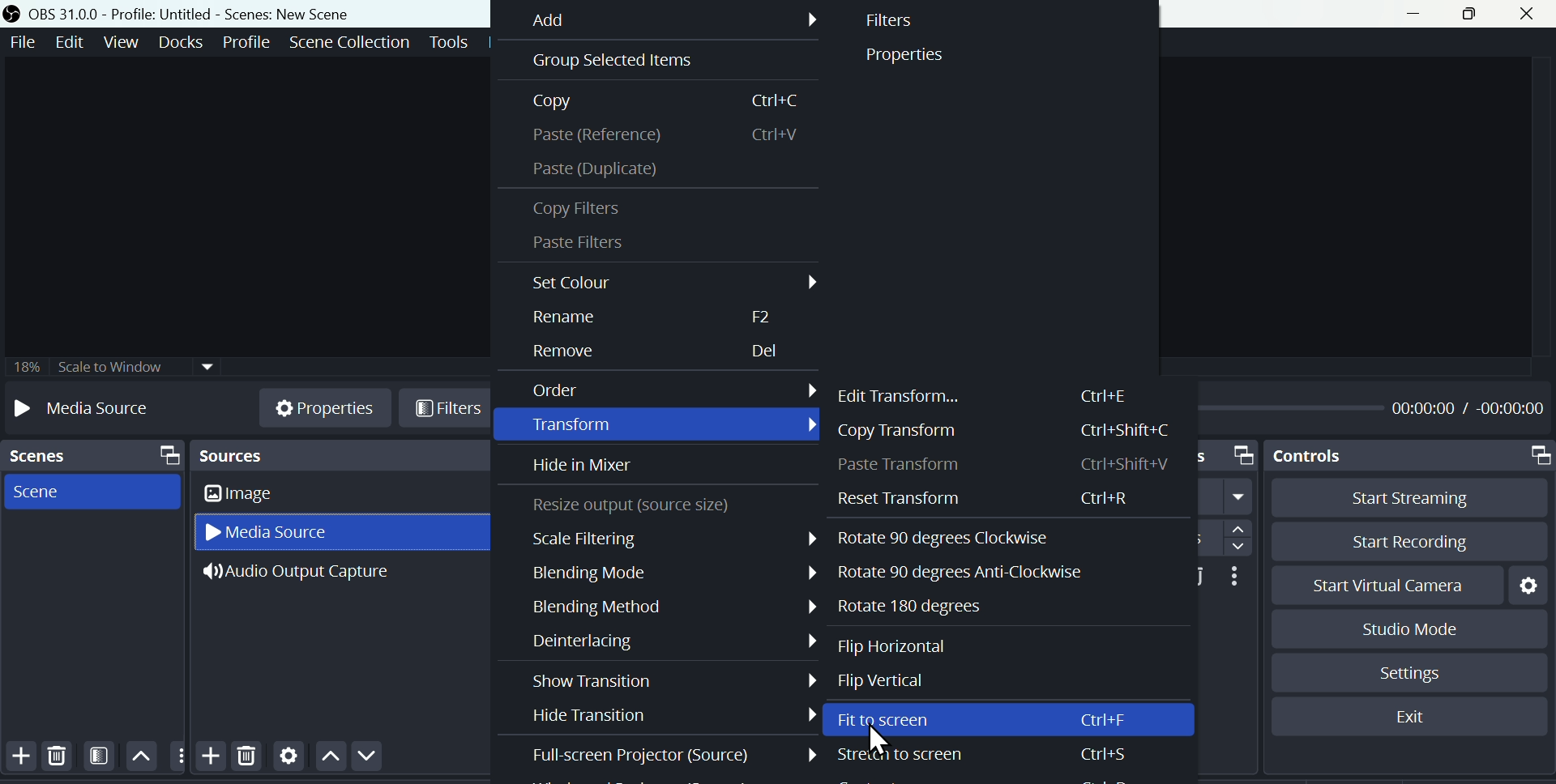 Image resolution: width=1556 pixels, height=784 pixels. I want to click on Scale two window, so click(109, 368).